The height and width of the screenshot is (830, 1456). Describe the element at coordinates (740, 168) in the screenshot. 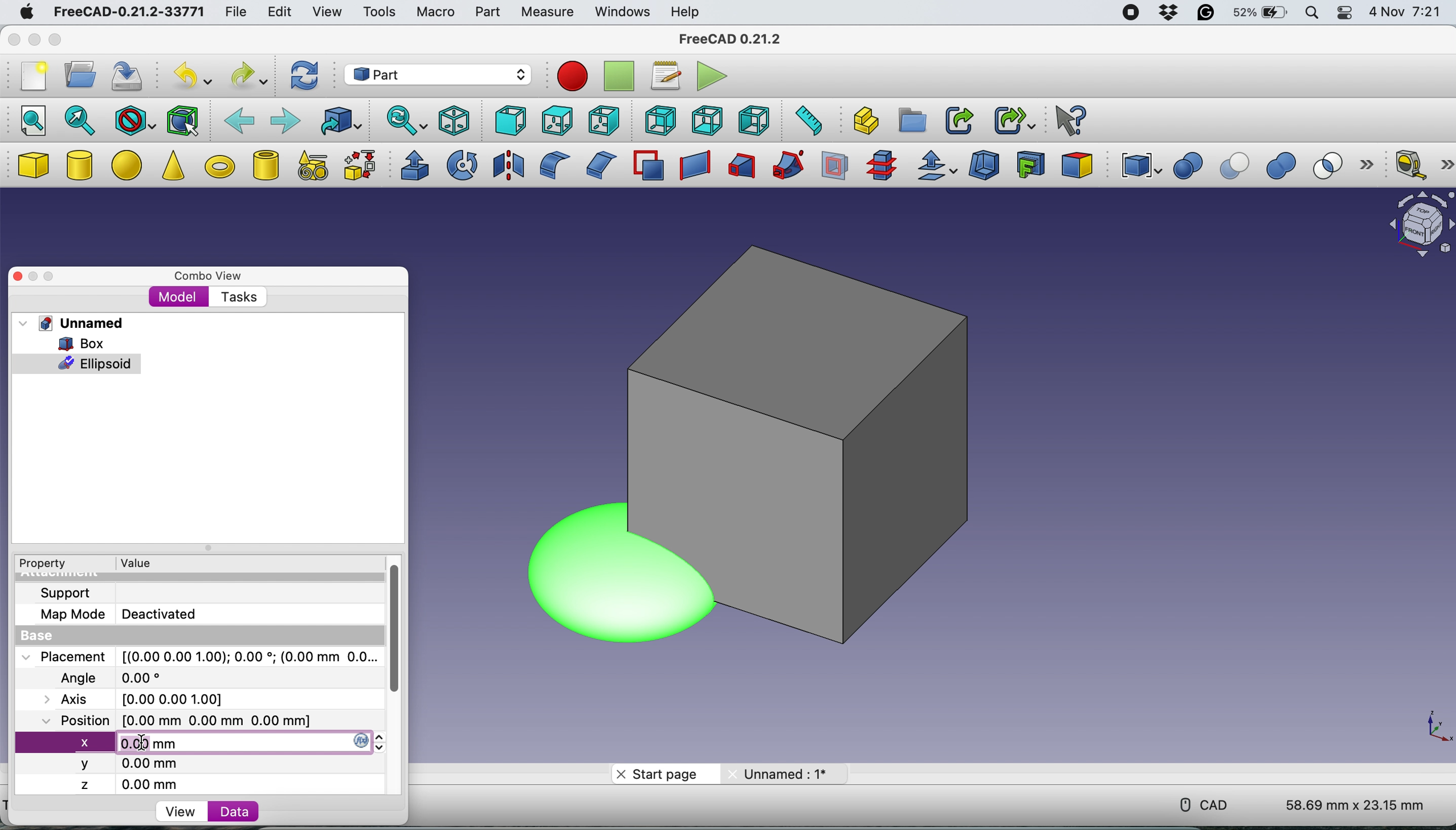

I see `loft` at that location.